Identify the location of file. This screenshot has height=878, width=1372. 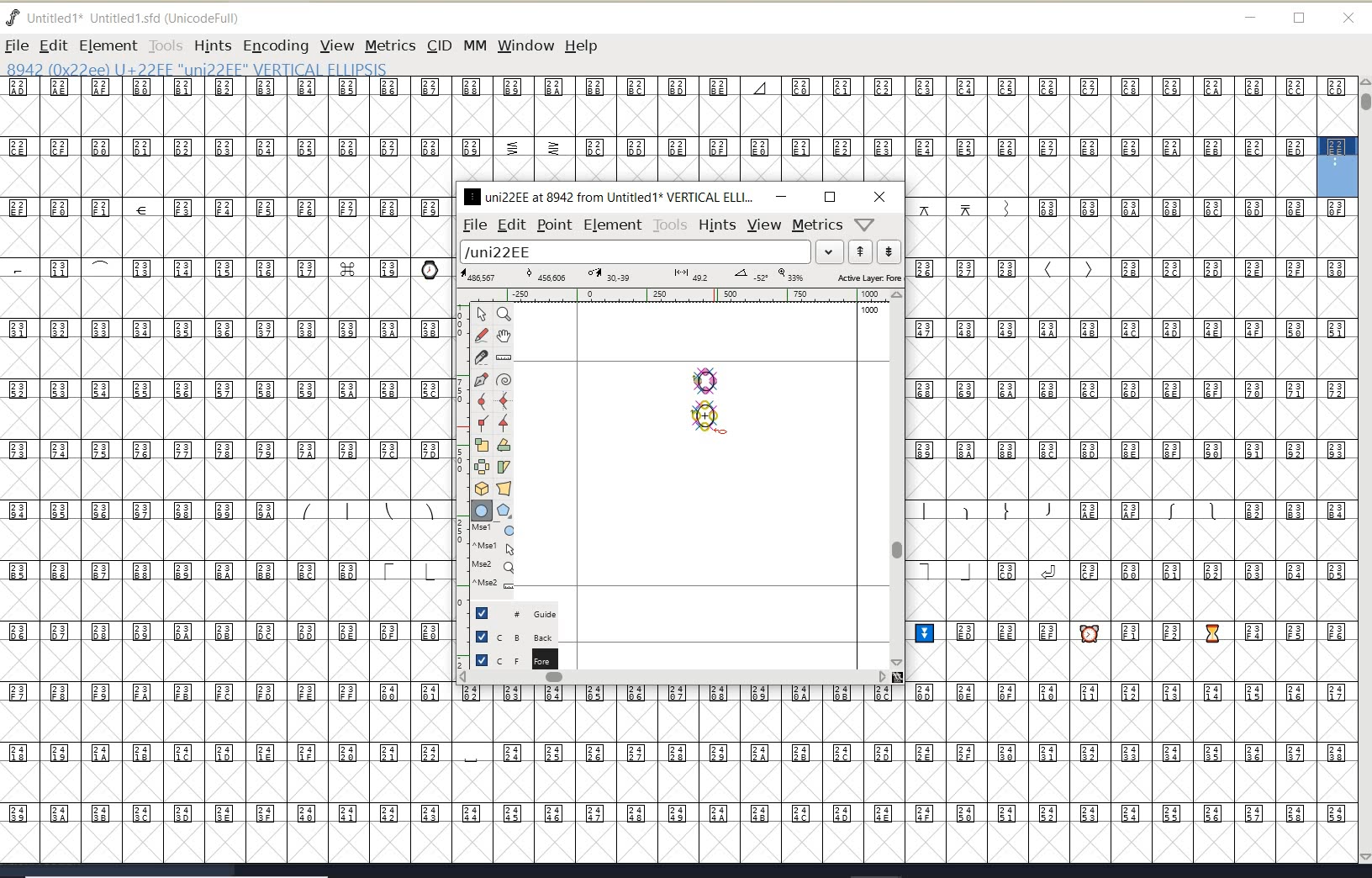
(472, 225).